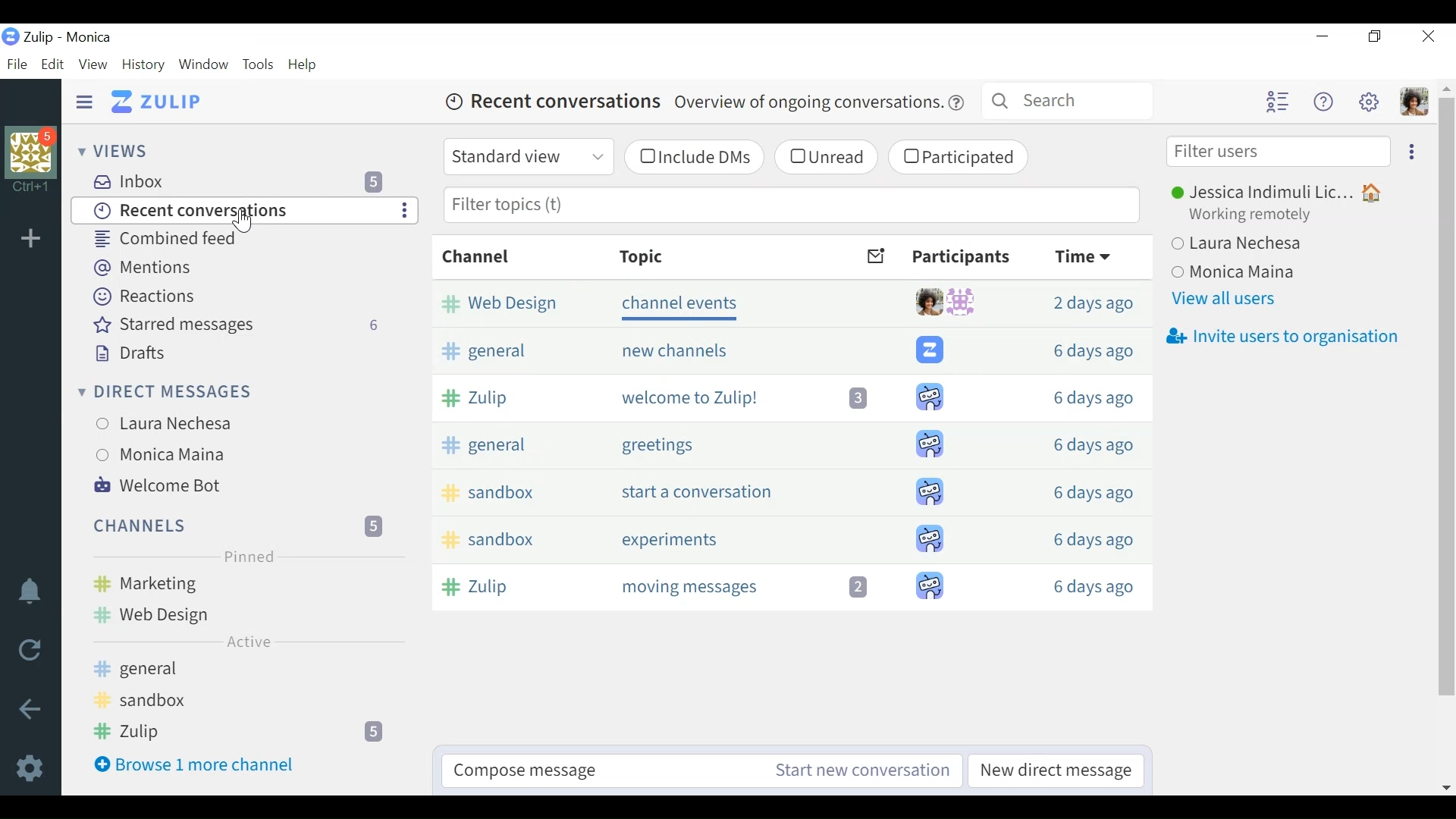 This screenshot has height=819, width=1456. Describe the element at coordinates (234, 731) in the screenshot. I see `Zulip` at that location.